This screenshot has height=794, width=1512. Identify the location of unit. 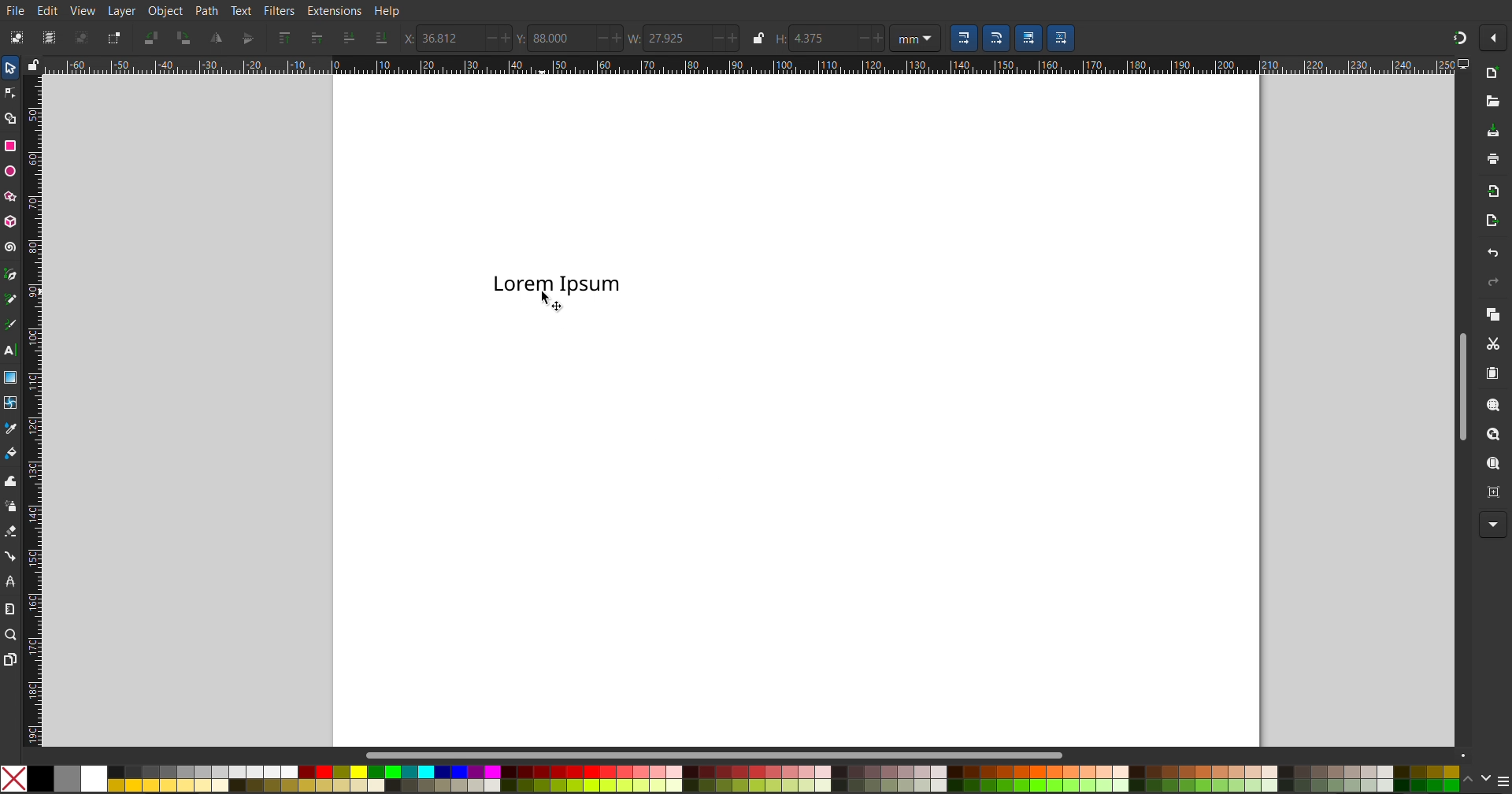
(915, 39).